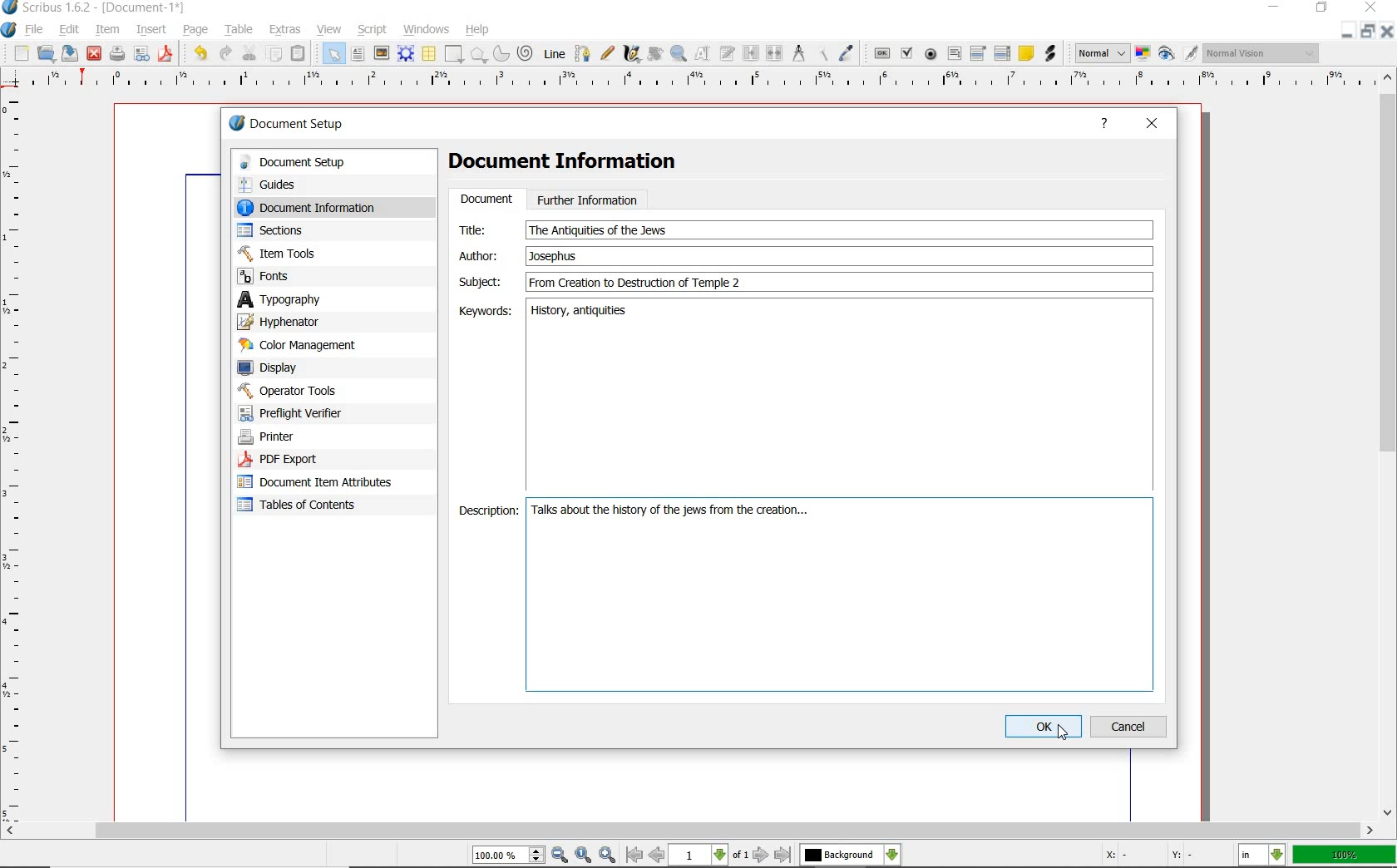 The width and height of the screenshot is (1397, 868). I want to click on Bezier curve, so click(582, 53).